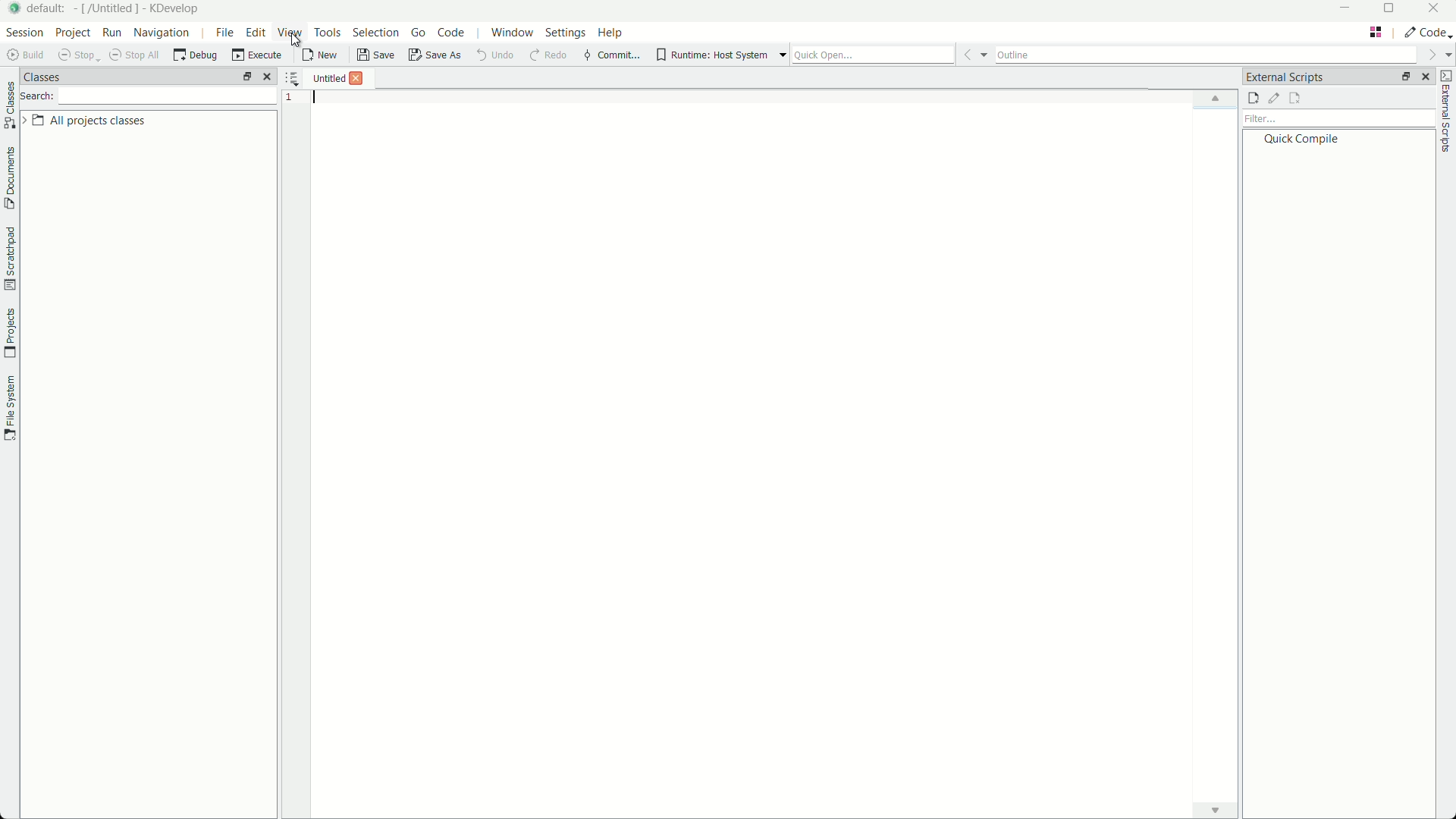 The image size is (1456, 819). I want to click on untitled, so click(330, 78).